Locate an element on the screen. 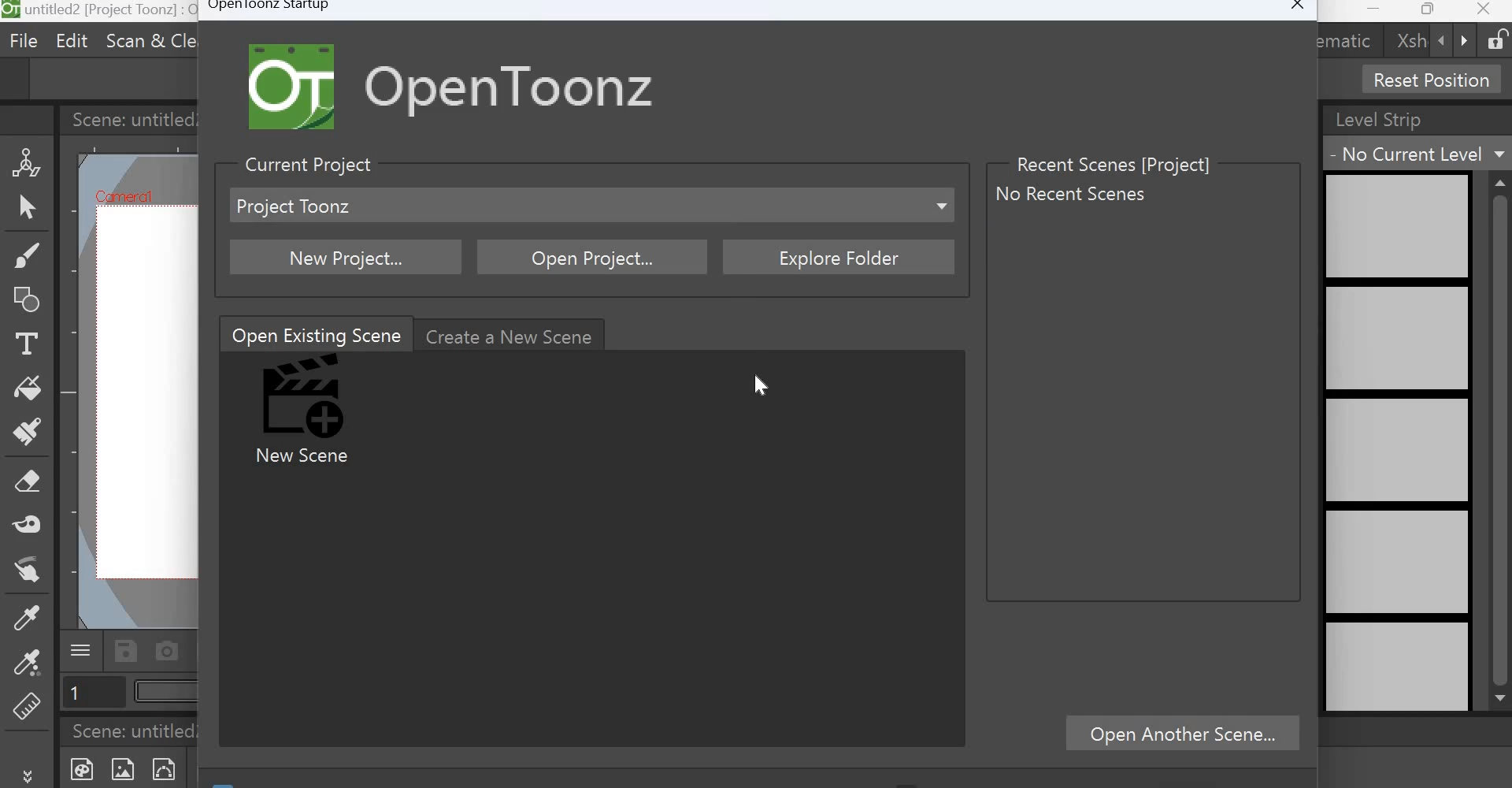 Image resolution: width=1512 pixels, height=788 pixels. Level Strip is located at coordinates (1392, 117).